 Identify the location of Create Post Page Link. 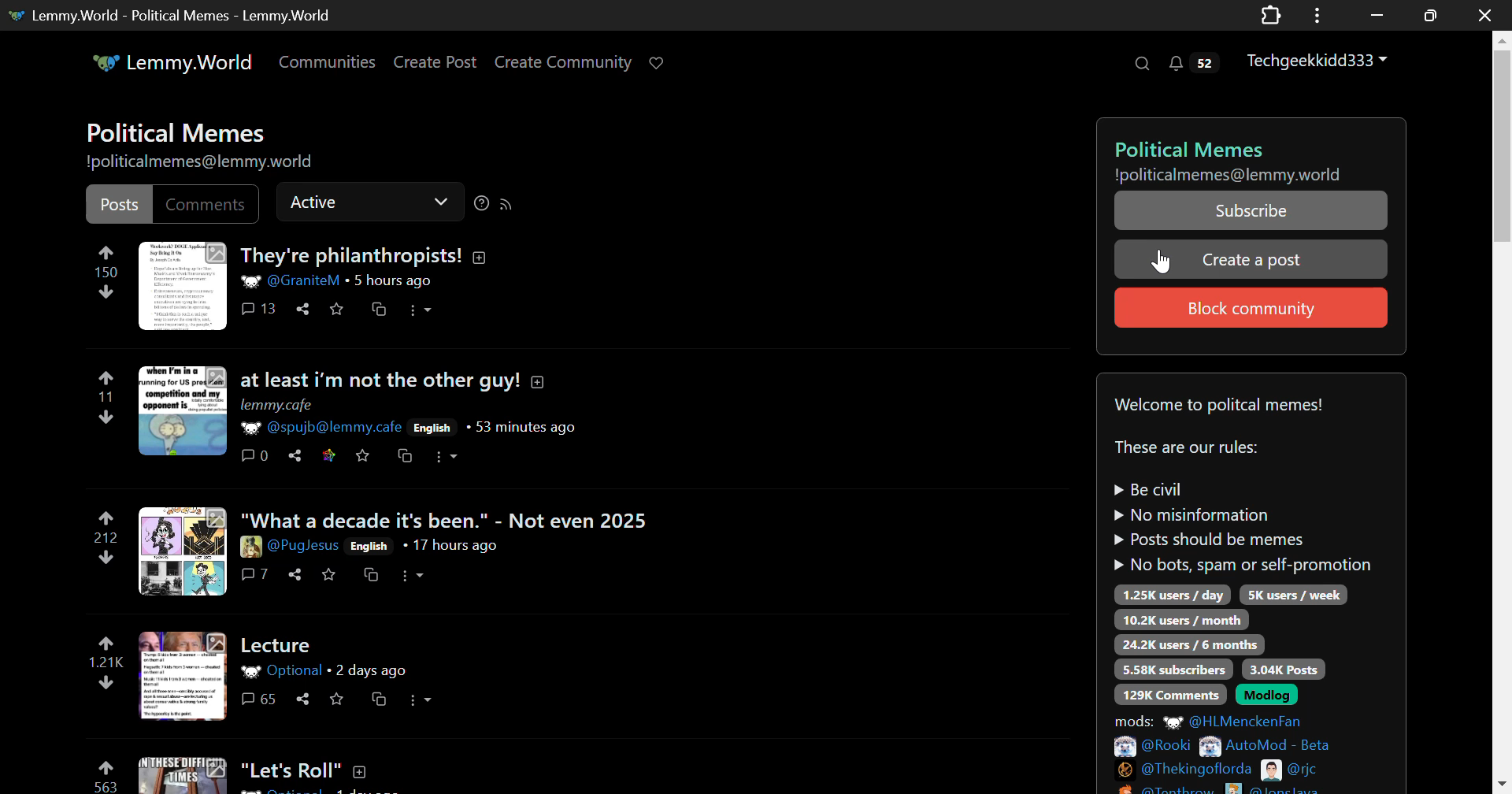
(435, 63).